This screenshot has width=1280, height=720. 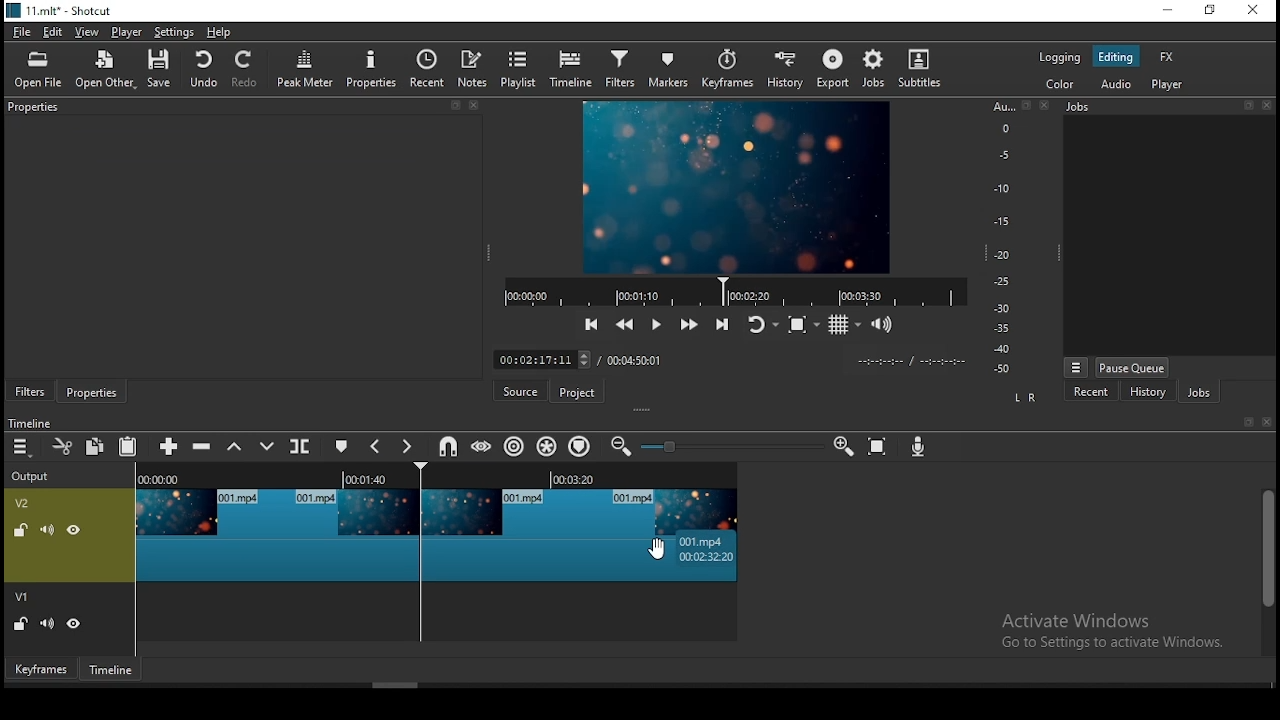 What do you see at coordinates (21, 448) in the screenshot?
I see `timeline menu` at bounding box center [21, 448].